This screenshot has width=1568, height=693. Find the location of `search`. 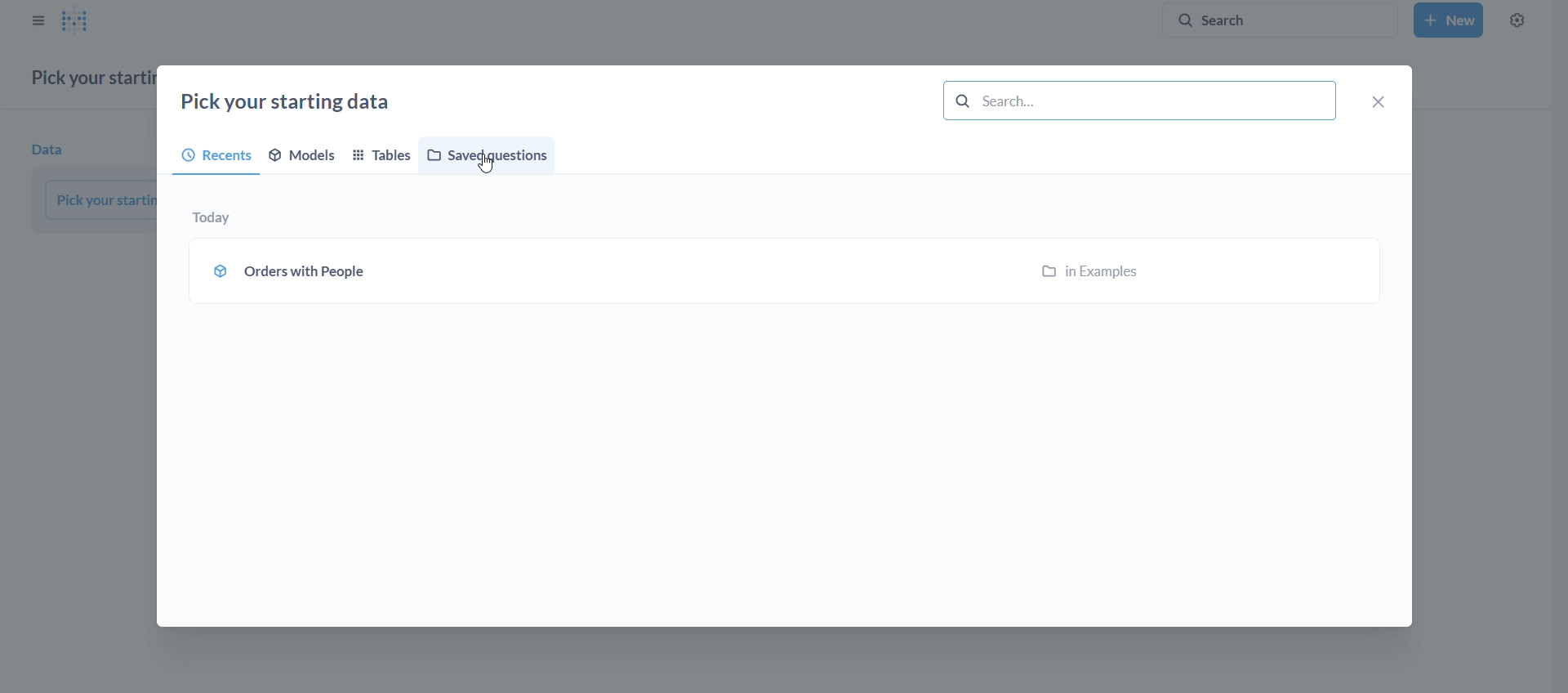

search is located at coordinates (1140, 101).